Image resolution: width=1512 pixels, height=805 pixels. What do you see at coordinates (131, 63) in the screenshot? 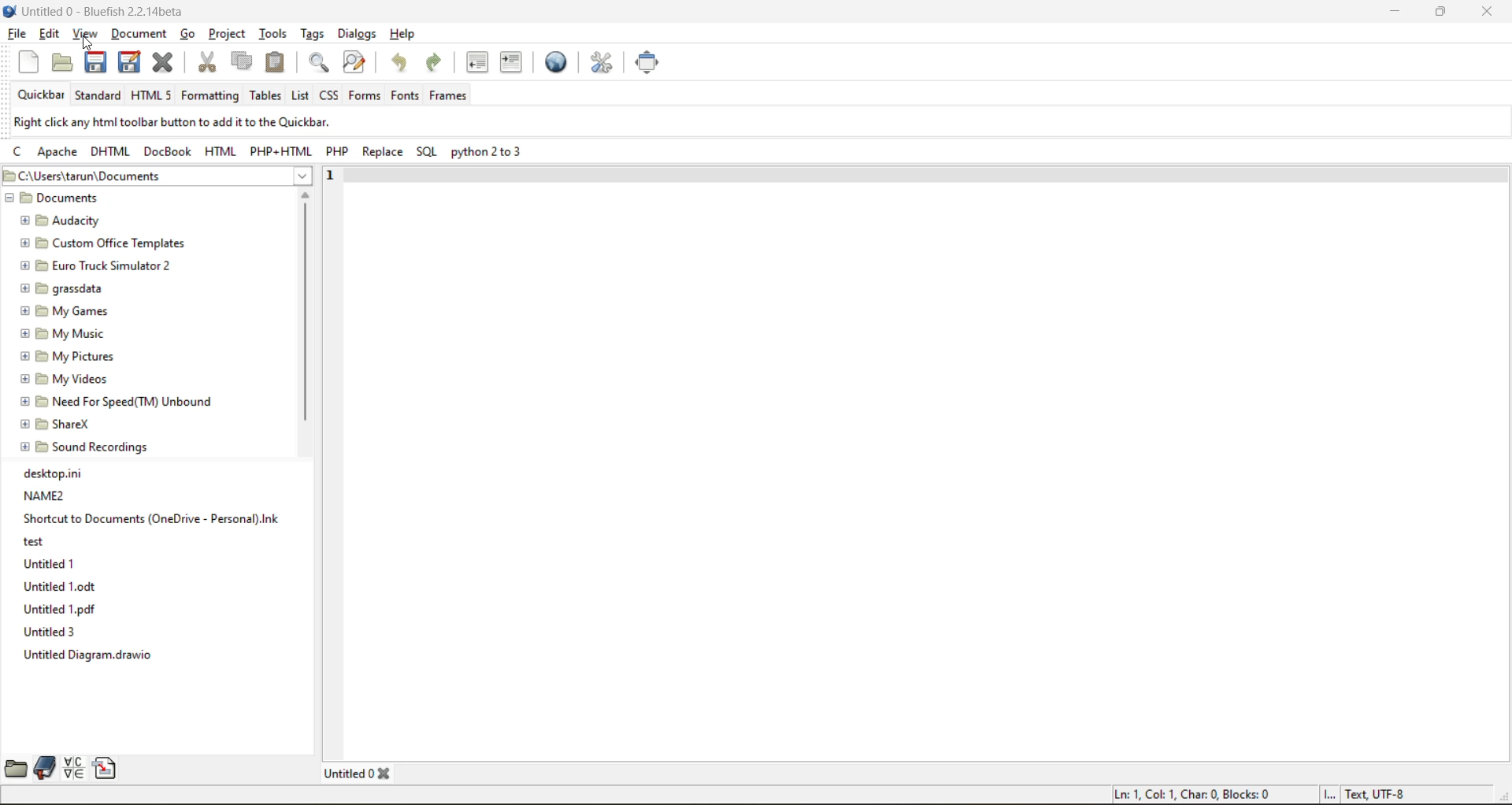
I see `save as` at bounding box center [131, 63].